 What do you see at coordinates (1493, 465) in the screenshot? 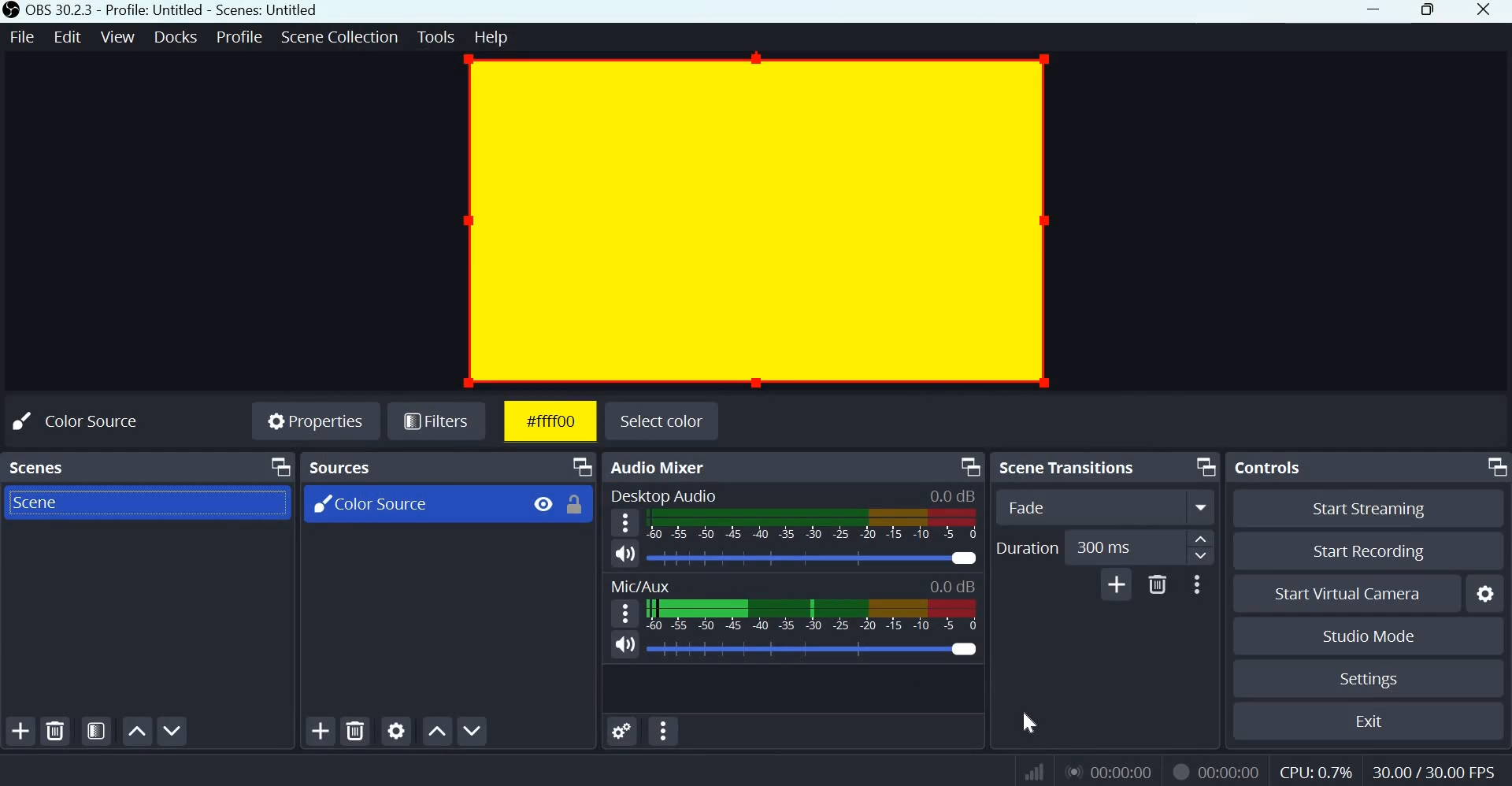
I see `Dock Options icon` at bounding box center [1493, 465].